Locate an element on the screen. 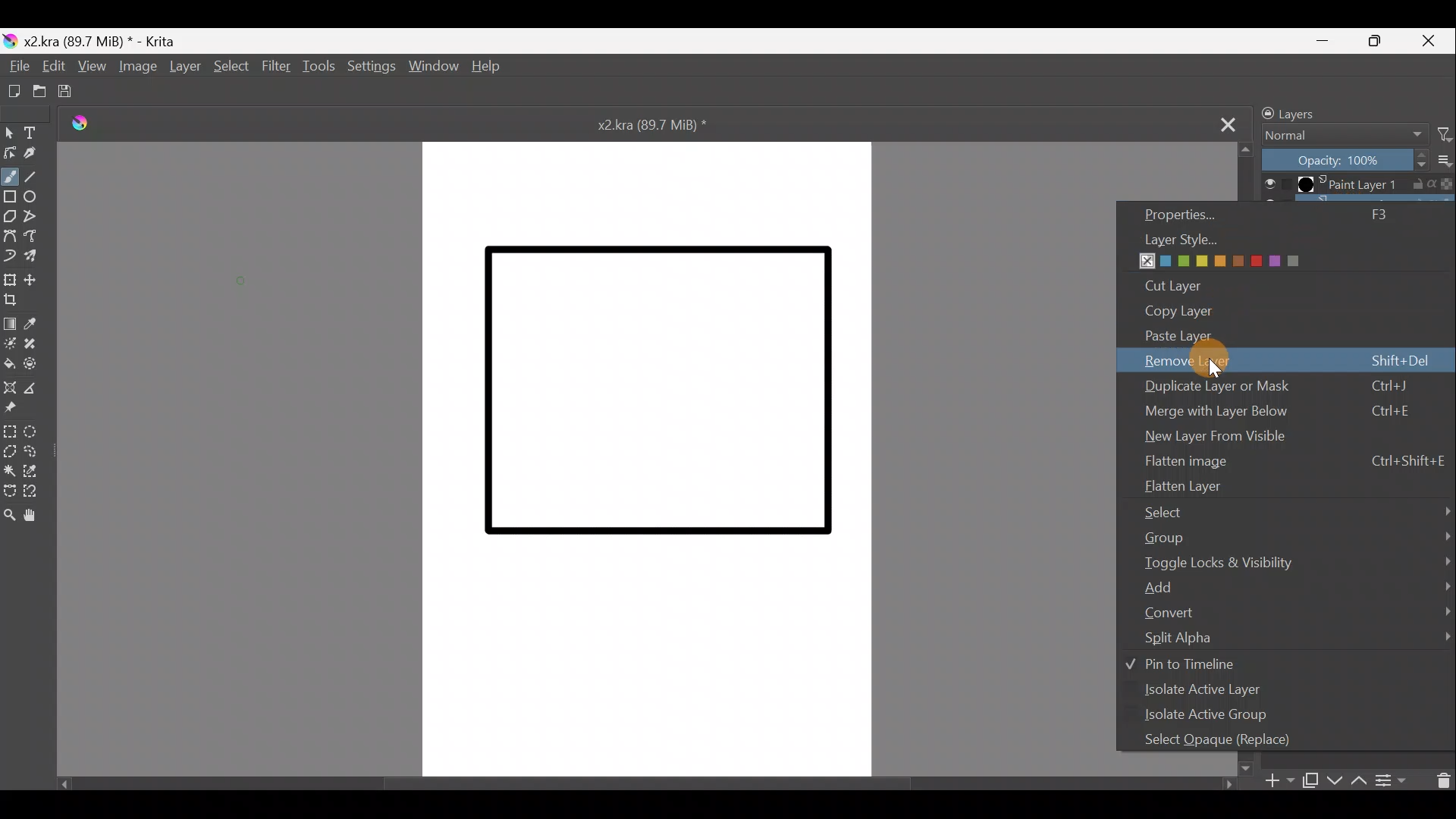 This screenshot has width=1456, height=819. Assistant tool is located at coordinates (12, 386).